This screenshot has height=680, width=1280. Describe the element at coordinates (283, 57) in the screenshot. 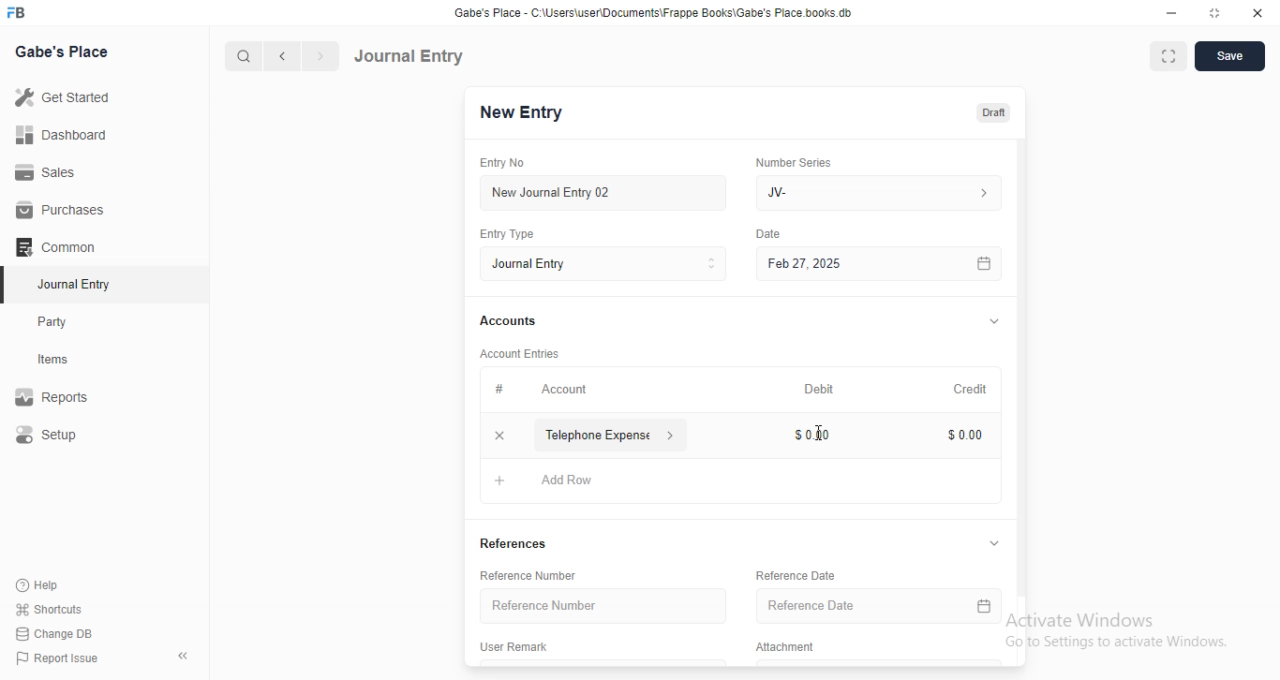

I see `Previous` at that location.